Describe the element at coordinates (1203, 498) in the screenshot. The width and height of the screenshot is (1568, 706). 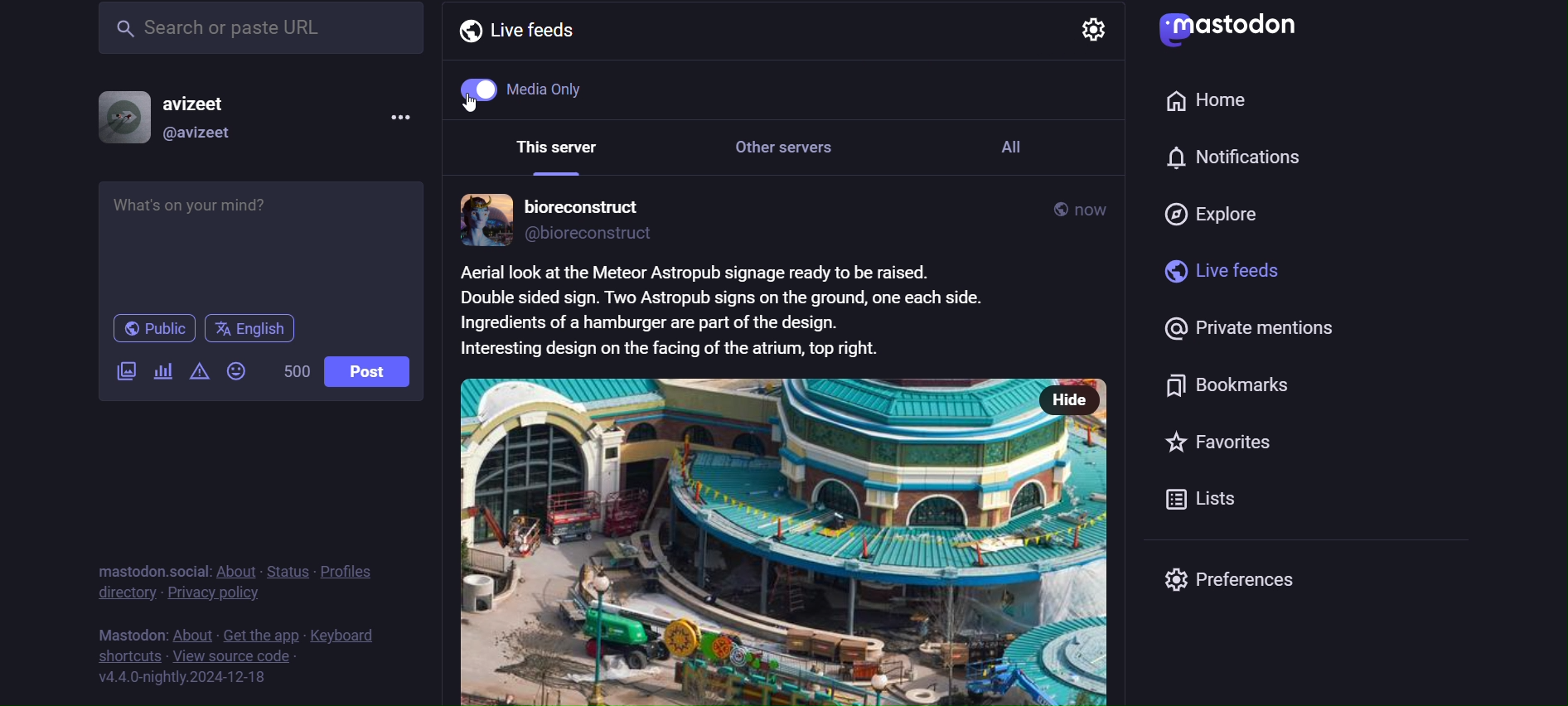
I see `Lists` at that location.